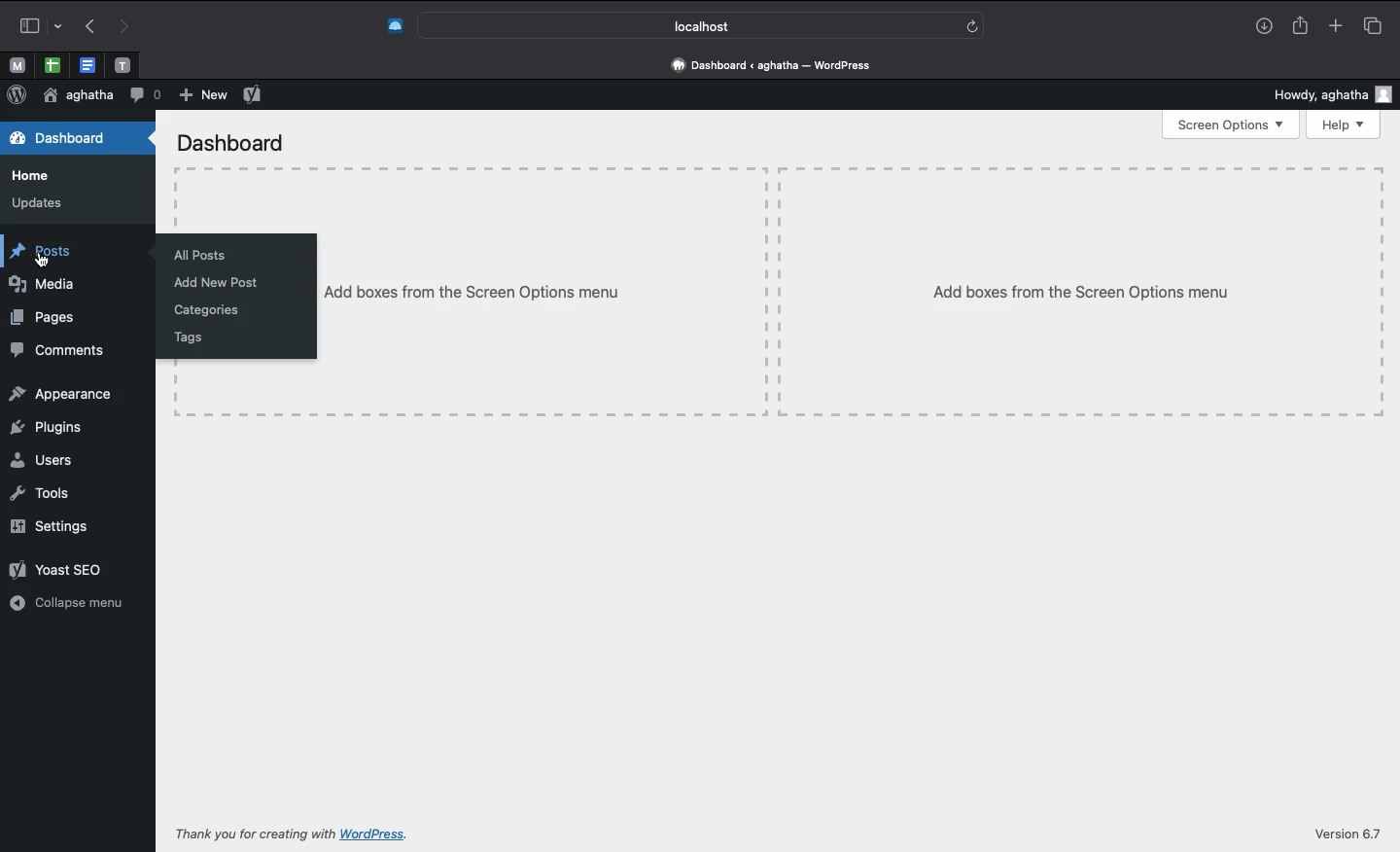 This screenshot has height=852, width=1400. I want to click on Dashboard, so click(226, 142).